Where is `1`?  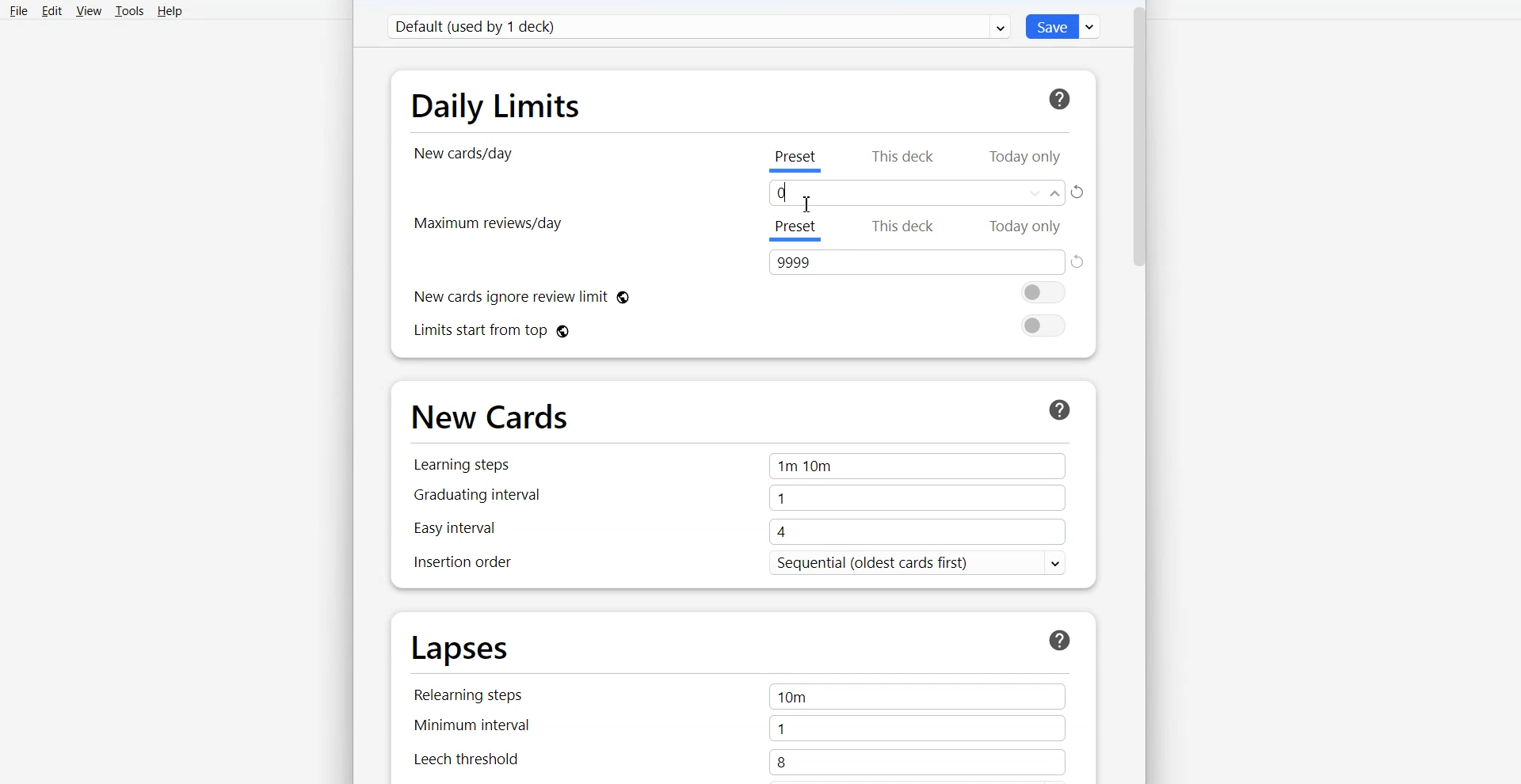 1 is located at coordinates (915, 499).